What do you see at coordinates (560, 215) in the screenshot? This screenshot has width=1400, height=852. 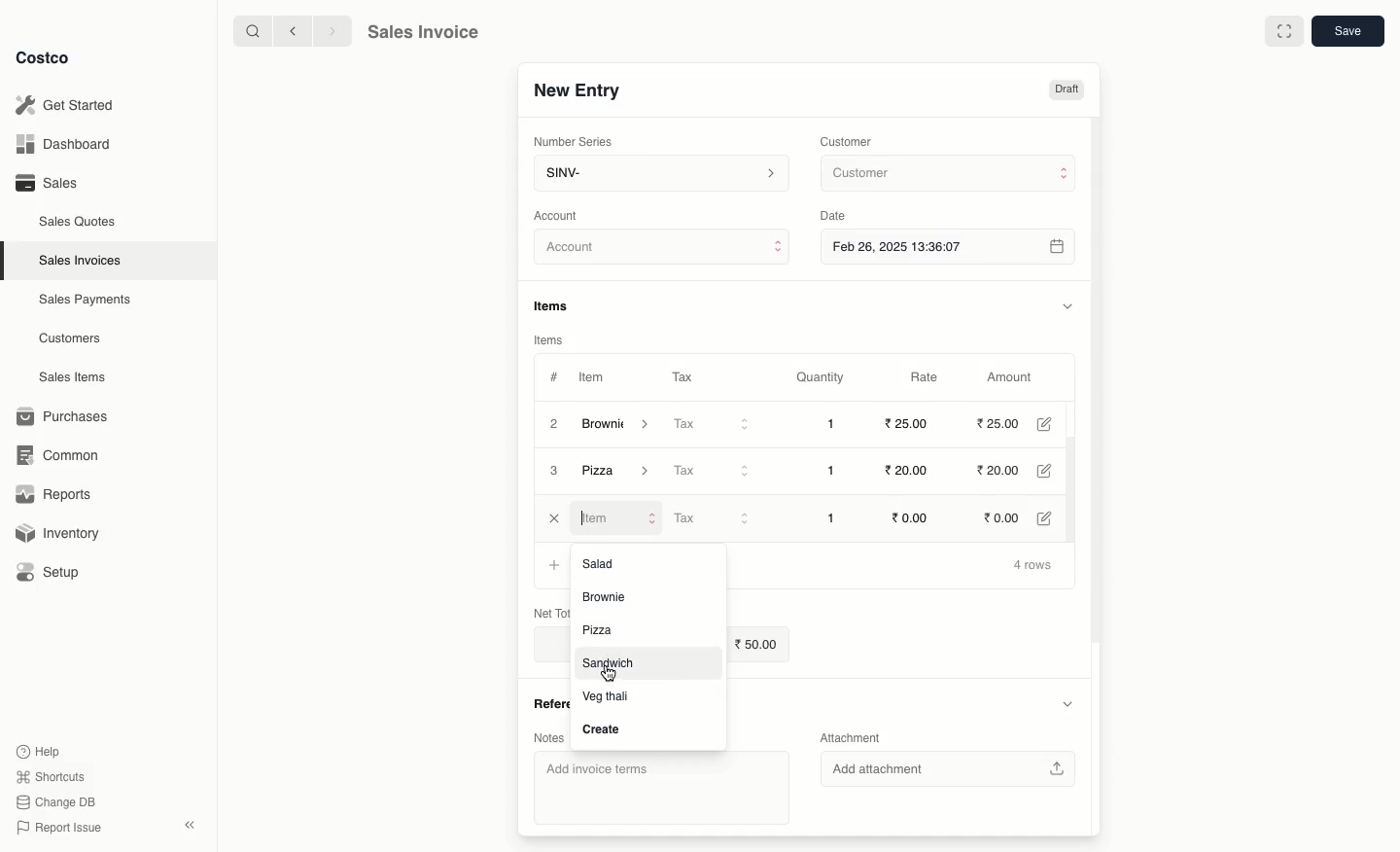 I see `‘Account` at bounding box center [560, 215].